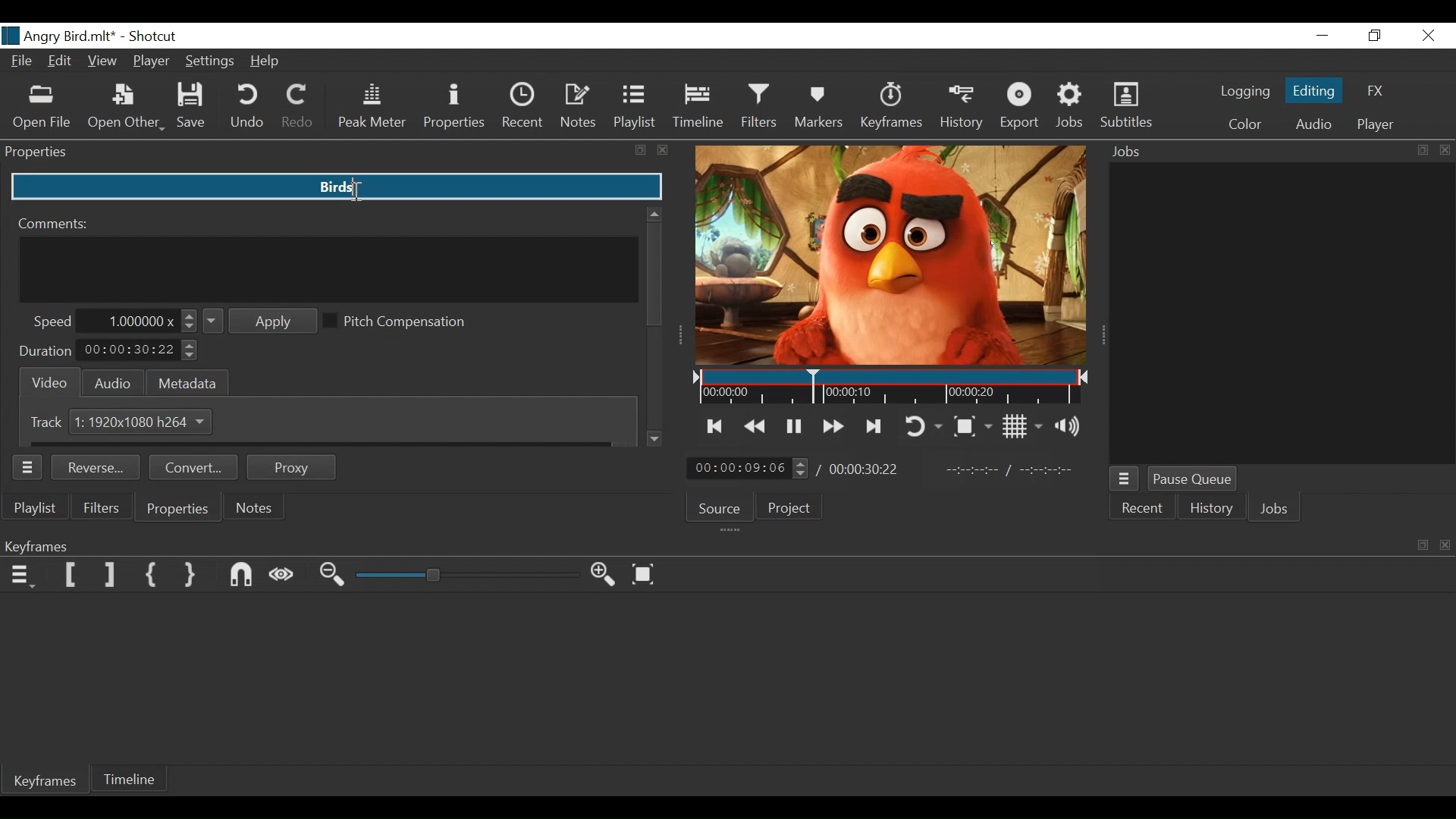  Describe the element at coordinates (153, 36) in the screenshot. I see `Shotcut` at that location.